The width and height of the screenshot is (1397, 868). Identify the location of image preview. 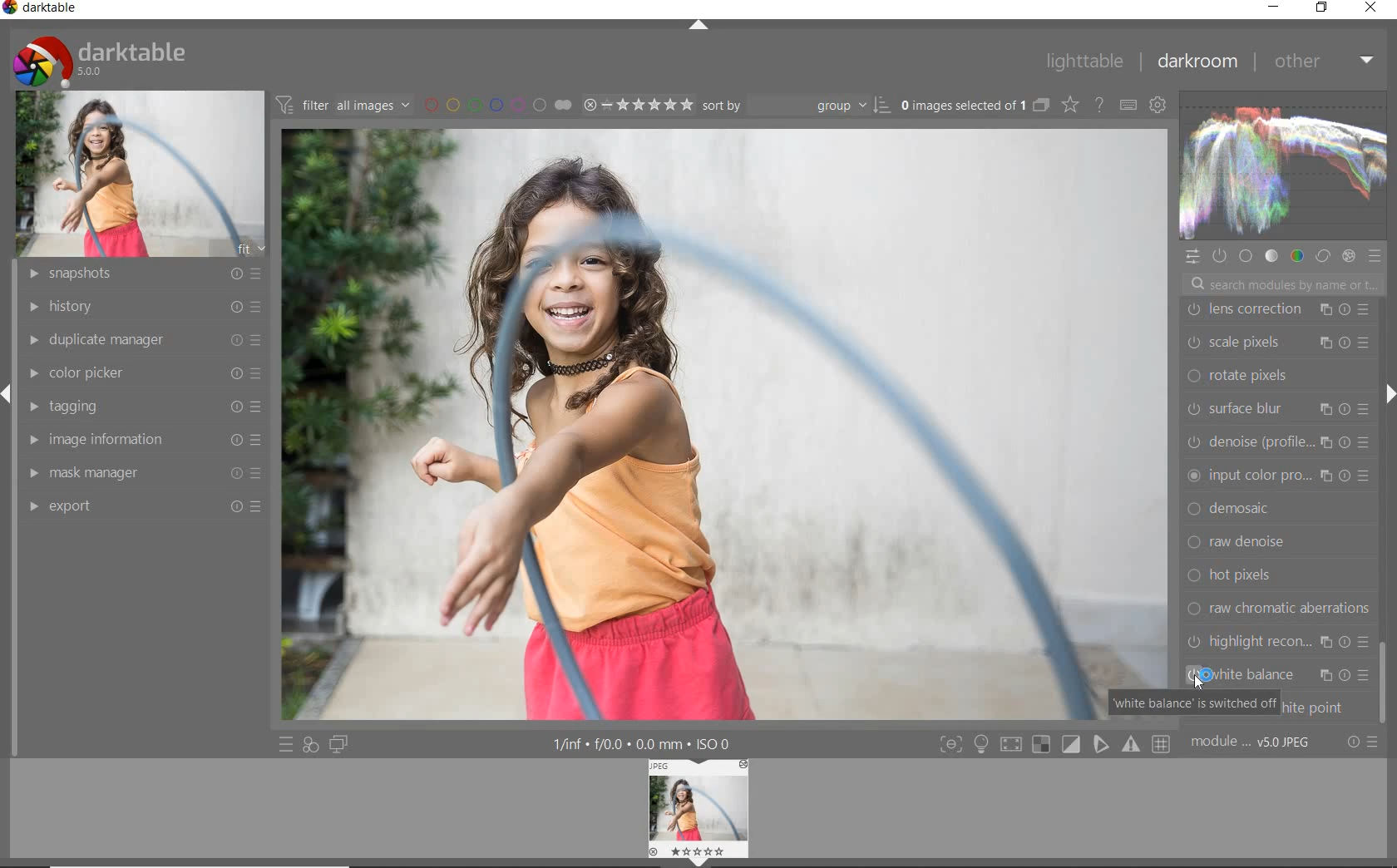
(699, 813).